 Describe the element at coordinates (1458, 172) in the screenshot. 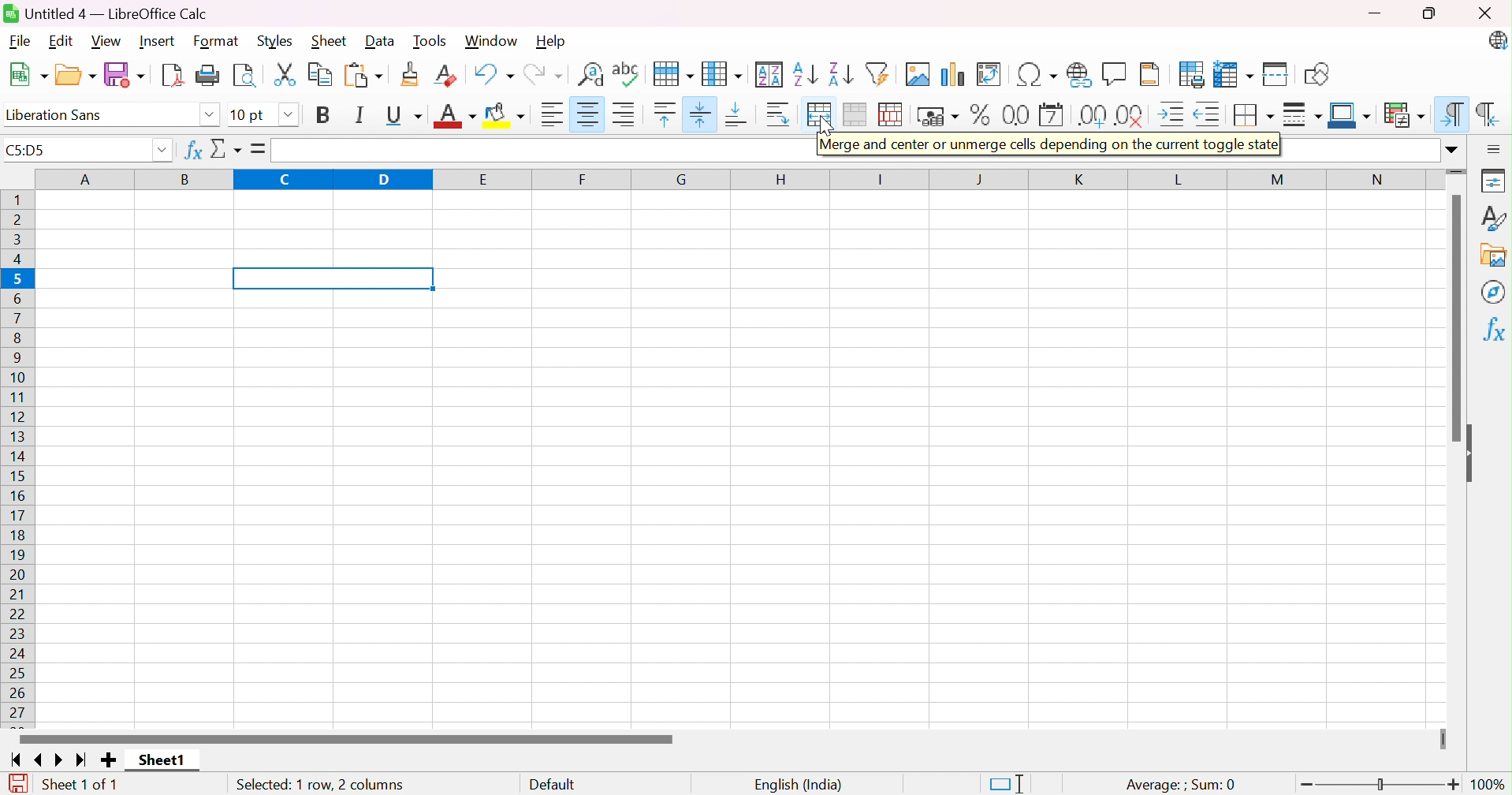

I see `Slider` at that location.